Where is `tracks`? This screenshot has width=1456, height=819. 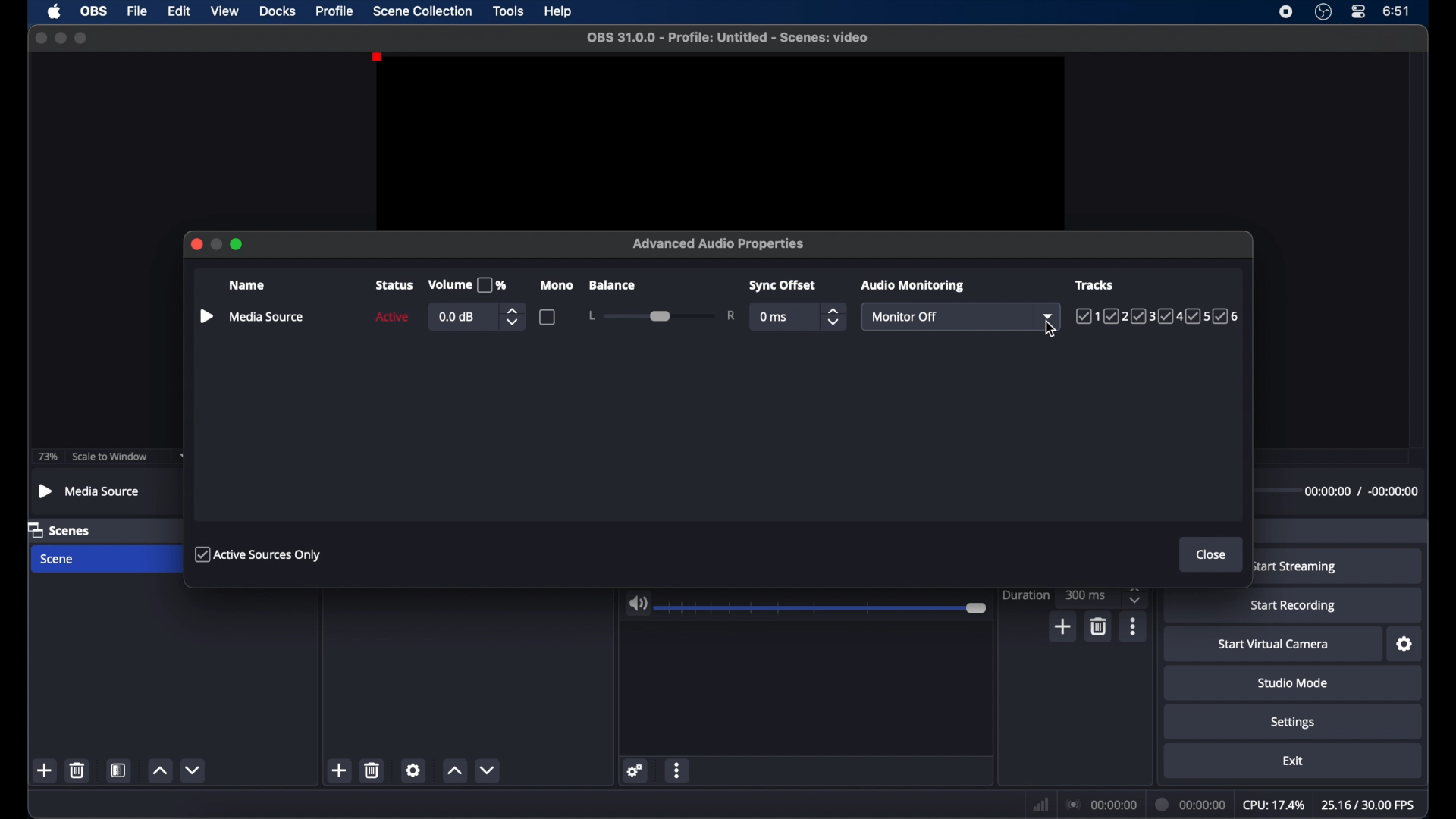 tracks is located at coordinates (1157, 316).